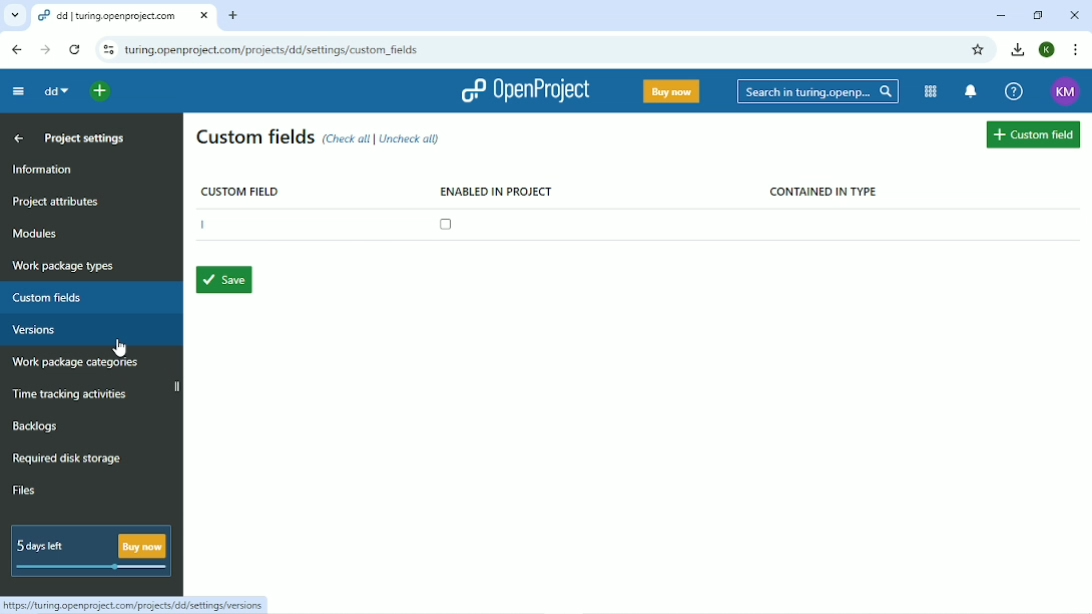 The image size is (1092, 614). I want to click on Download, so click(1016, 49).